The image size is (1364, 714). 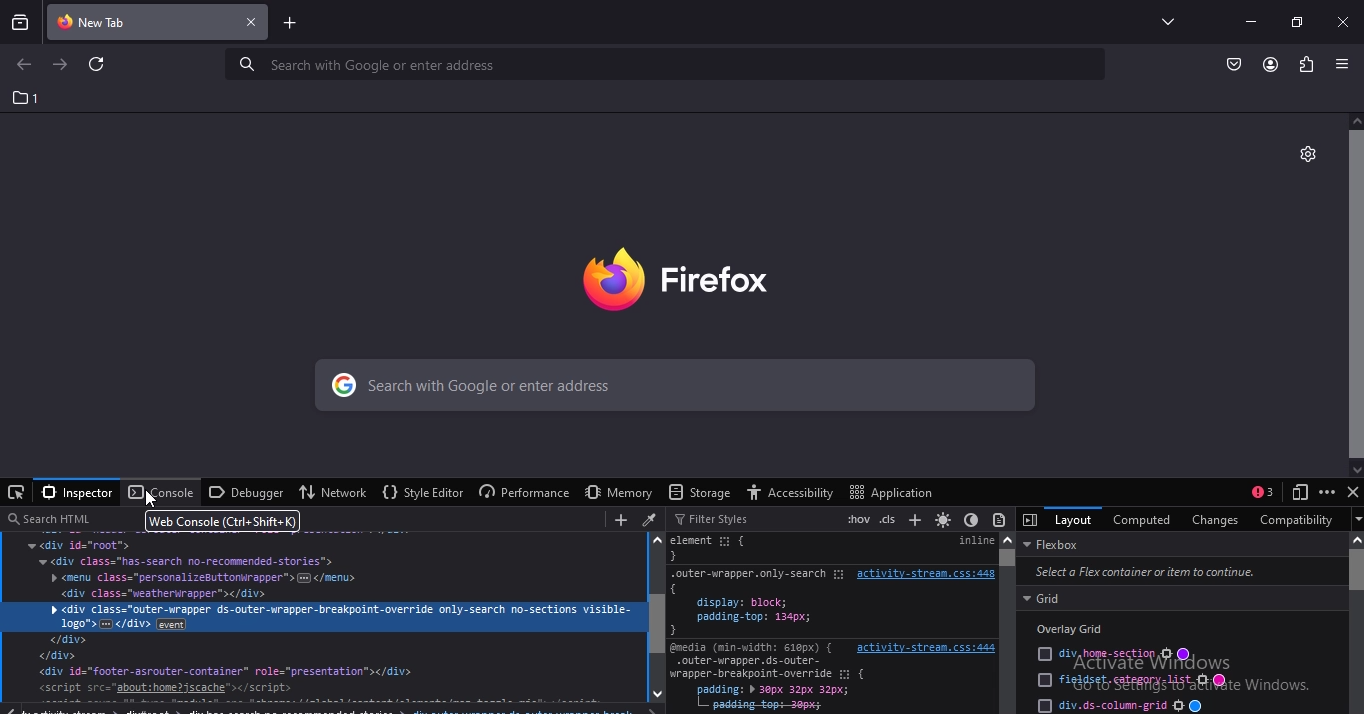 I want to click on toggle pseudo classes, so click(x=859, y=519).